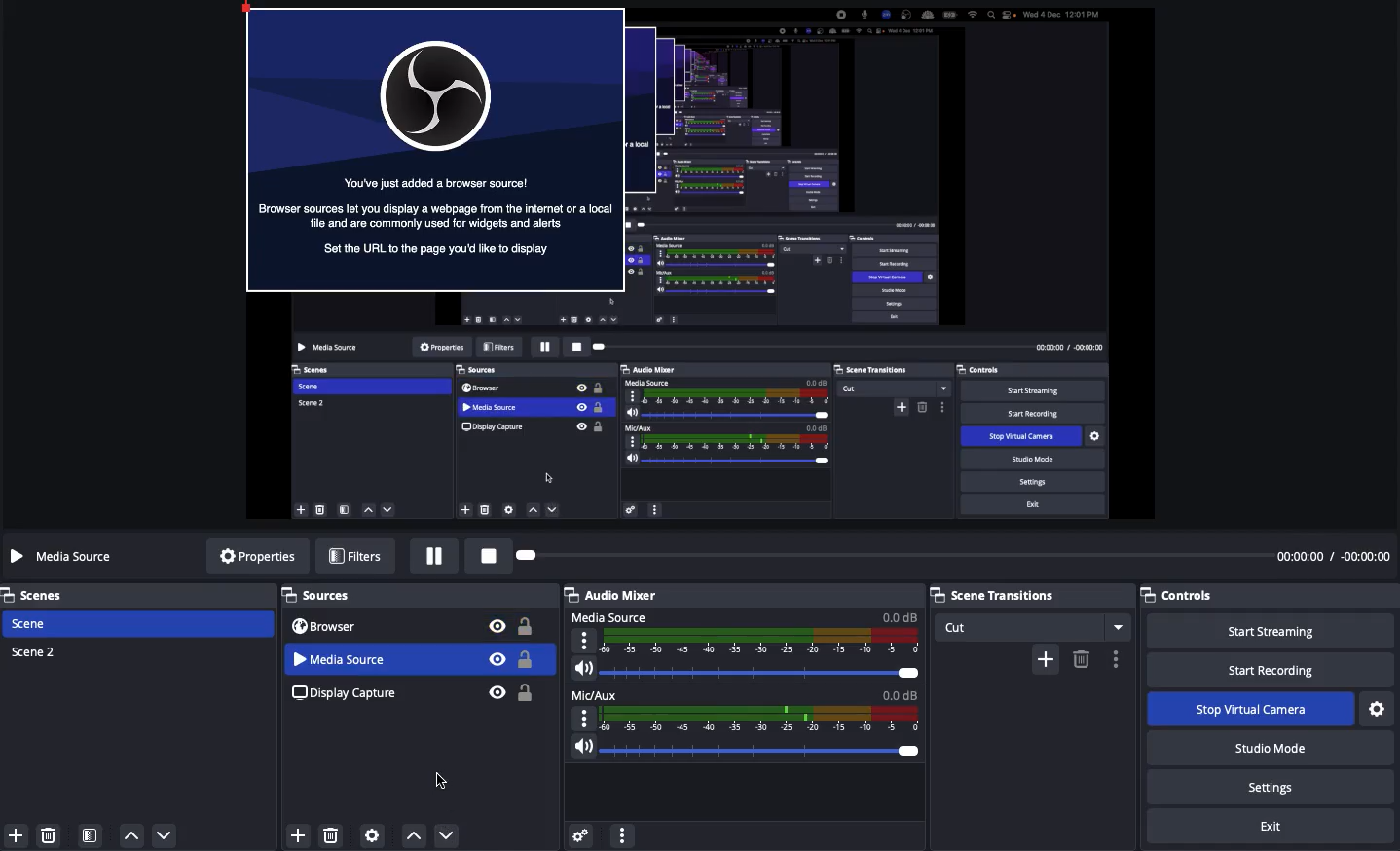 The width and height of the screenshot is (1400, 851). I want to click on Scene filter, so click(91, 836).